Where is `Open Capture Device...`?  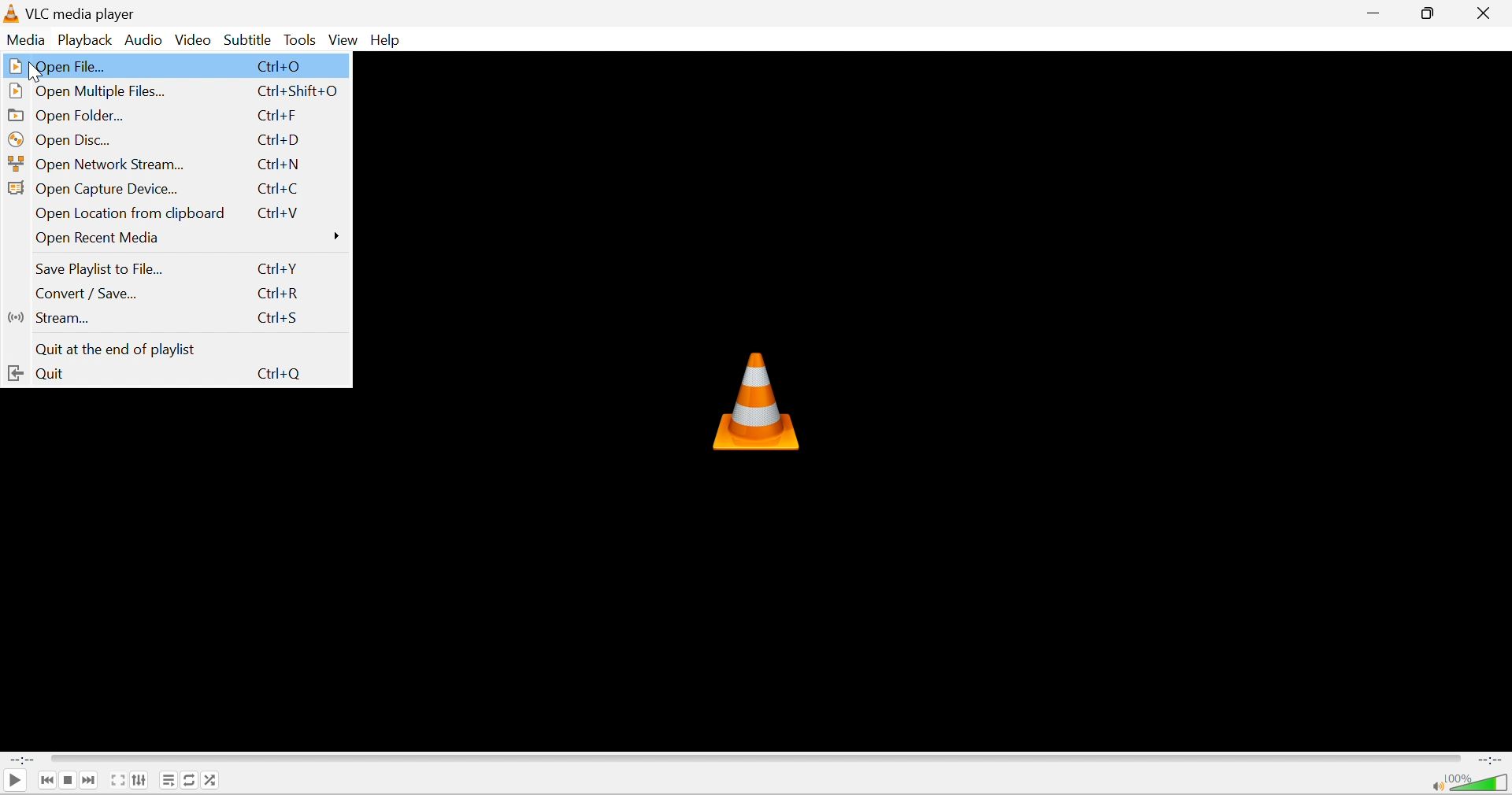
Open Capture Device... is located at coordinates (94, 189).